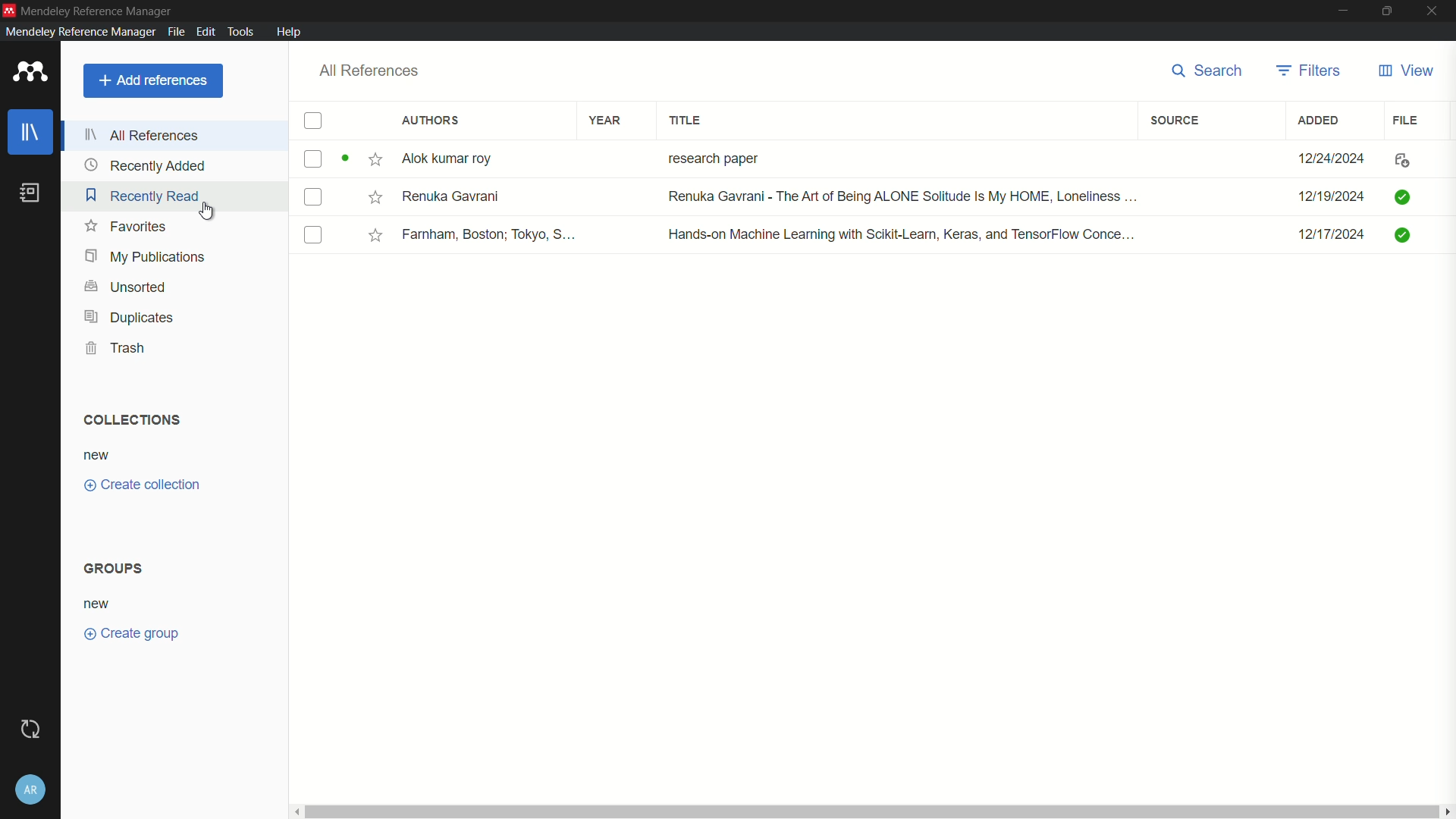  Describe the element at coordinates (129, 317) in the screenshot. I see `duplicates` at that location.